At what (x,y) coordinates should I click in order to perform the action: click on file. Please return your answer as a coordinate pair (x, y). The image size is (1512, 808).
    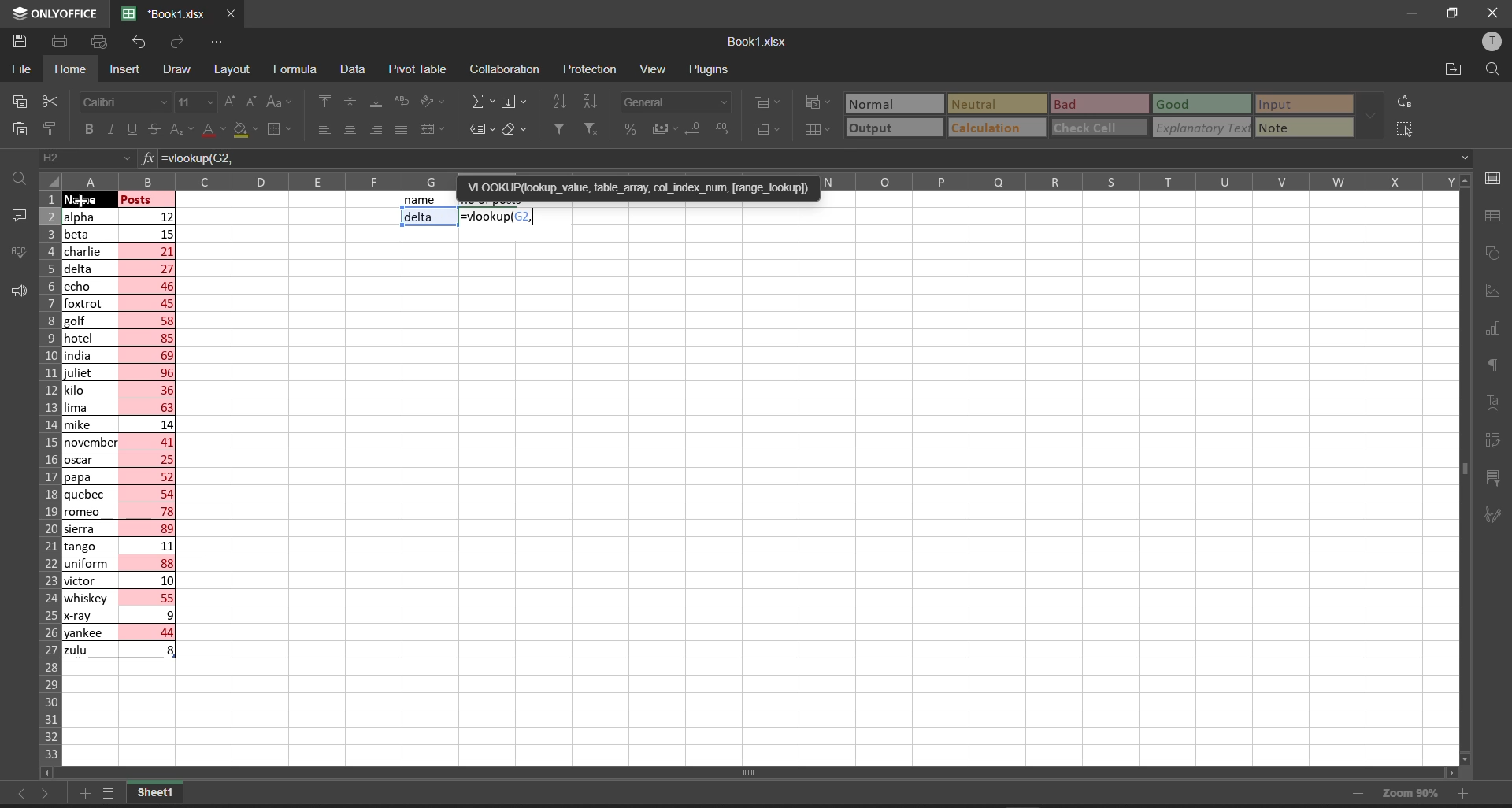
    Looking at the image, I should click on (23, 68).